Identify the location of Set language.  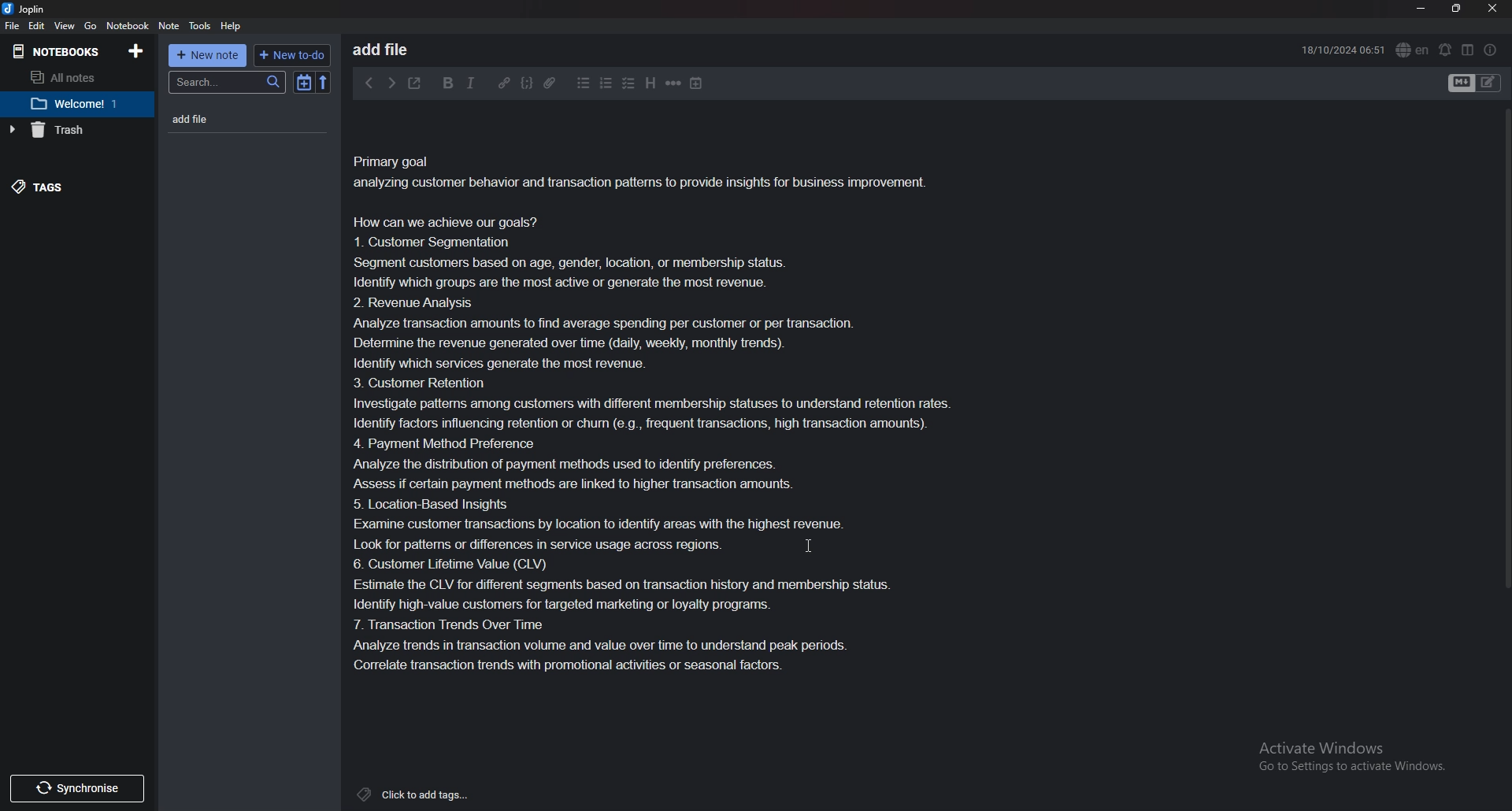
(1412, 50).